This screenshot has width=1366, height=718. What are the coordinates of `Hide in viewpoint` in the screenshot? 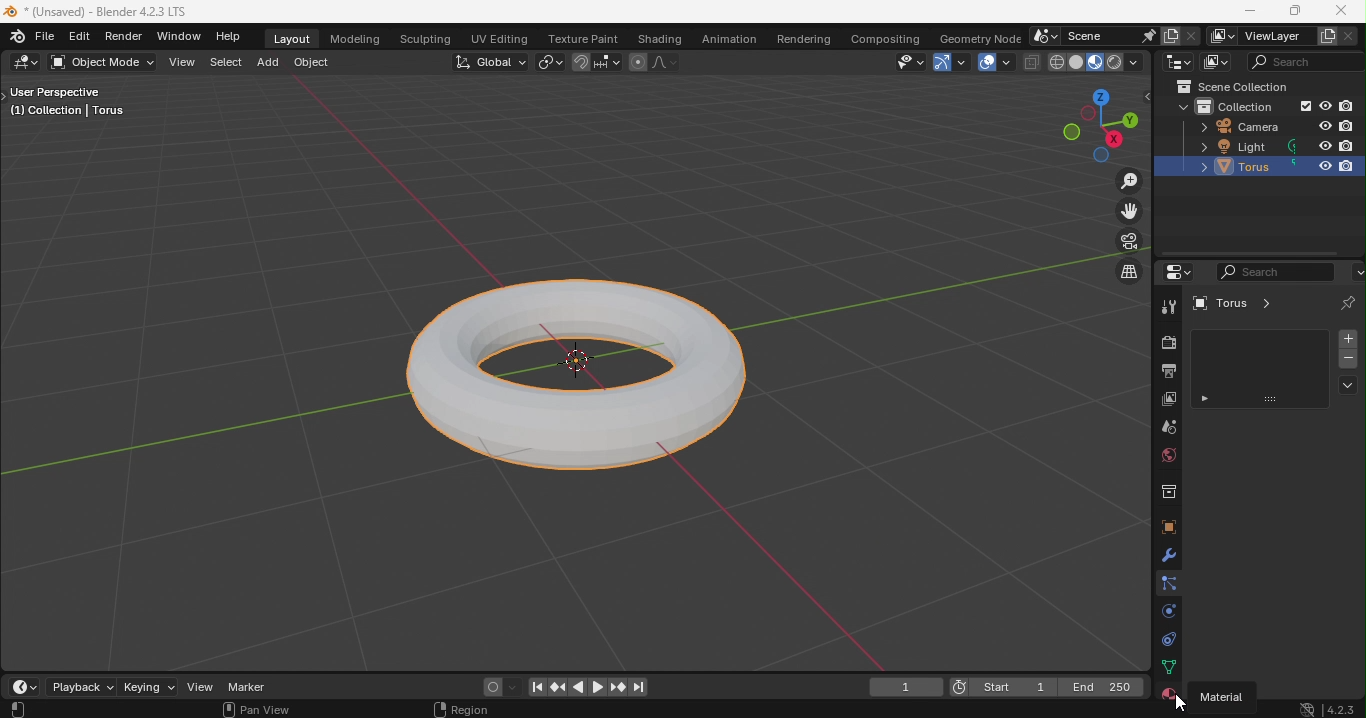 It's located at (1326, 127).